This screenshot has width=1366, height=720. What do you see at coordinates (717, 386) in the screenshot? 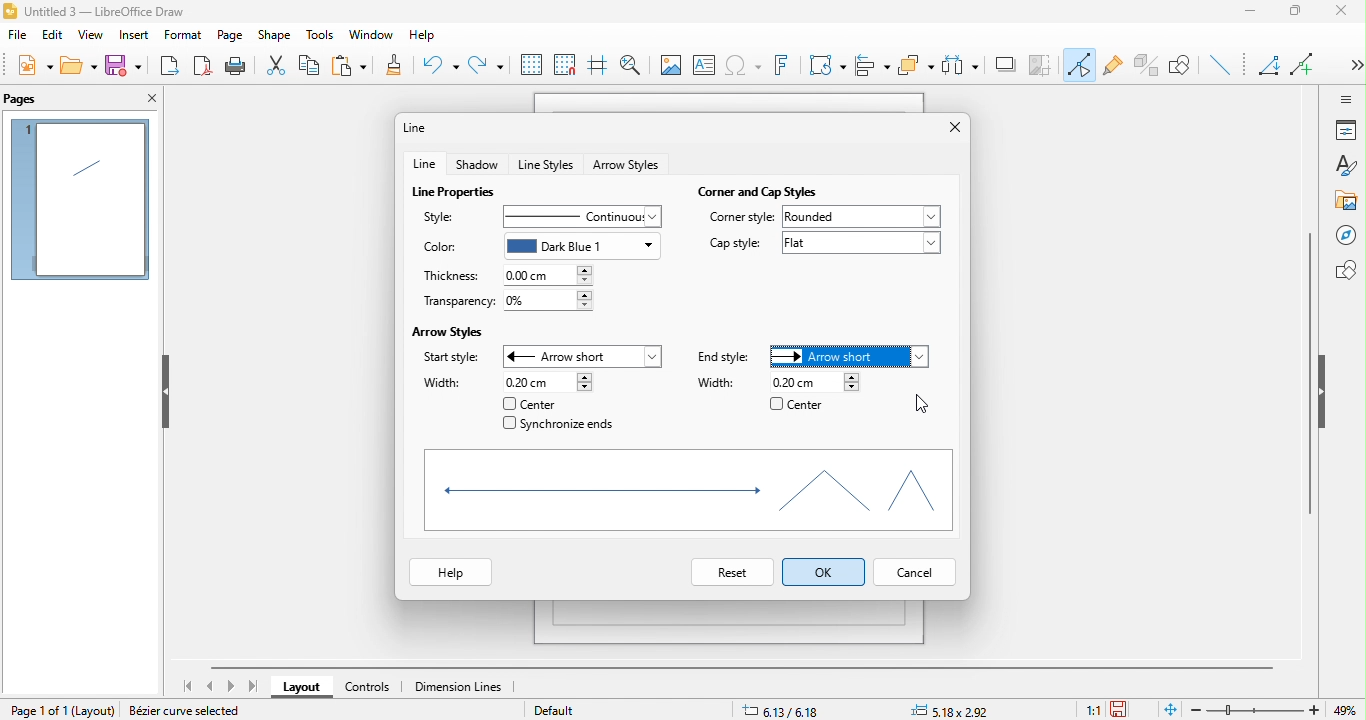
I see `width` at bounding box center [717, 386].